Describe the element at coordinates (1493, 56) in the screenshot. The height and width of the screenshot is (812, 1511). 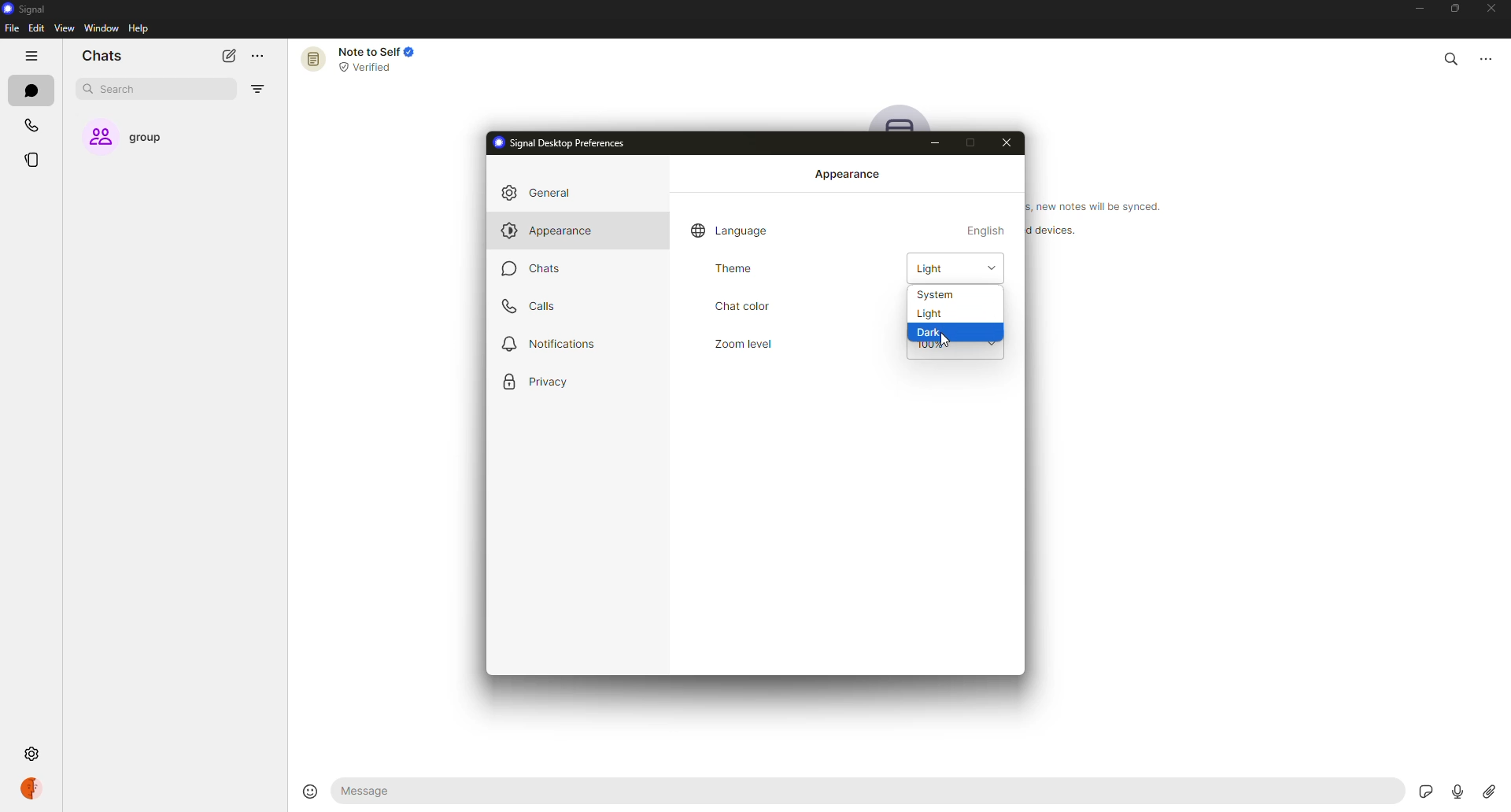
I see `more` at that location.